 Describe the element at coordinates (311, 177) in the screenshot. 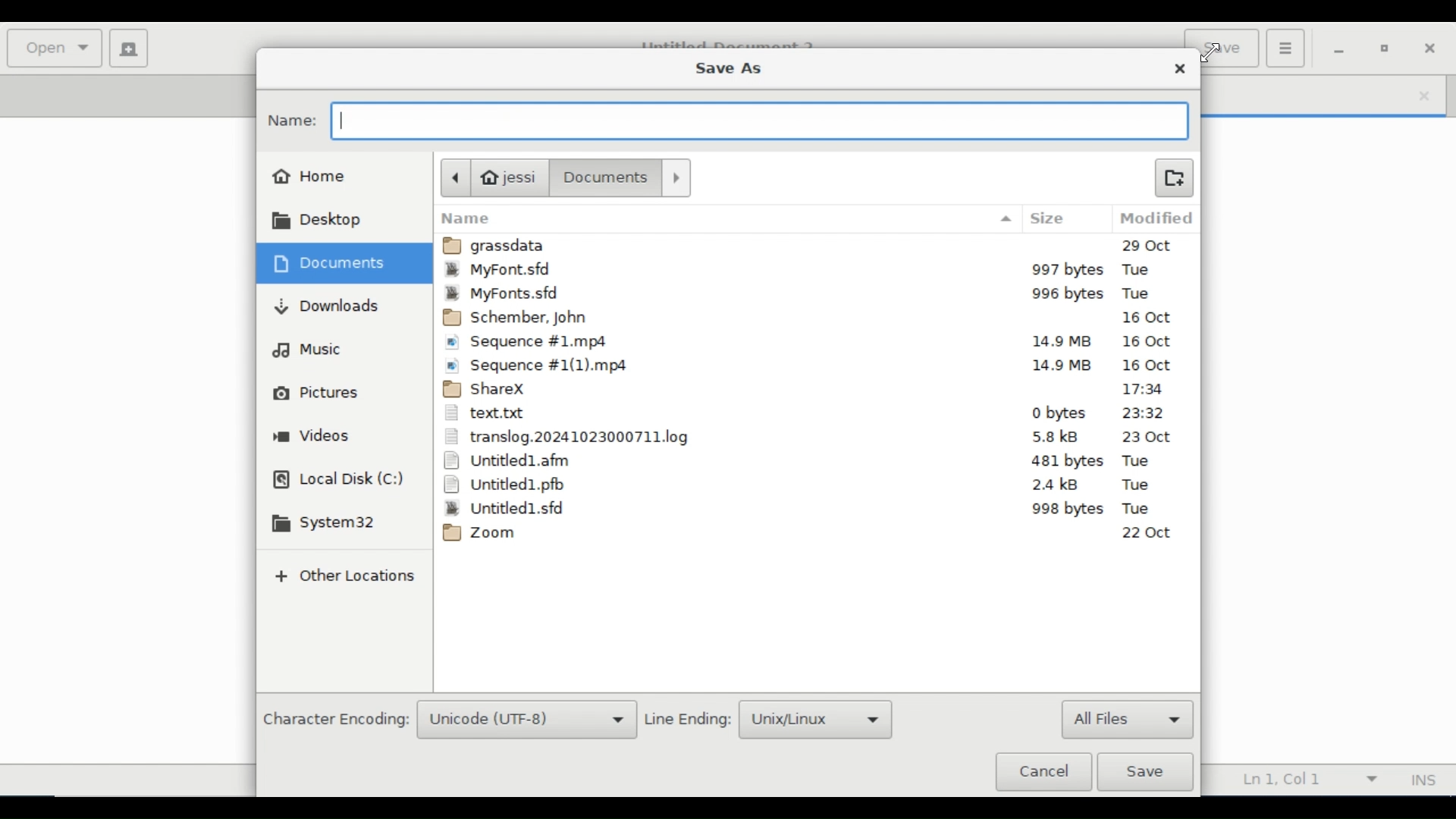

I see `Home` at that location.